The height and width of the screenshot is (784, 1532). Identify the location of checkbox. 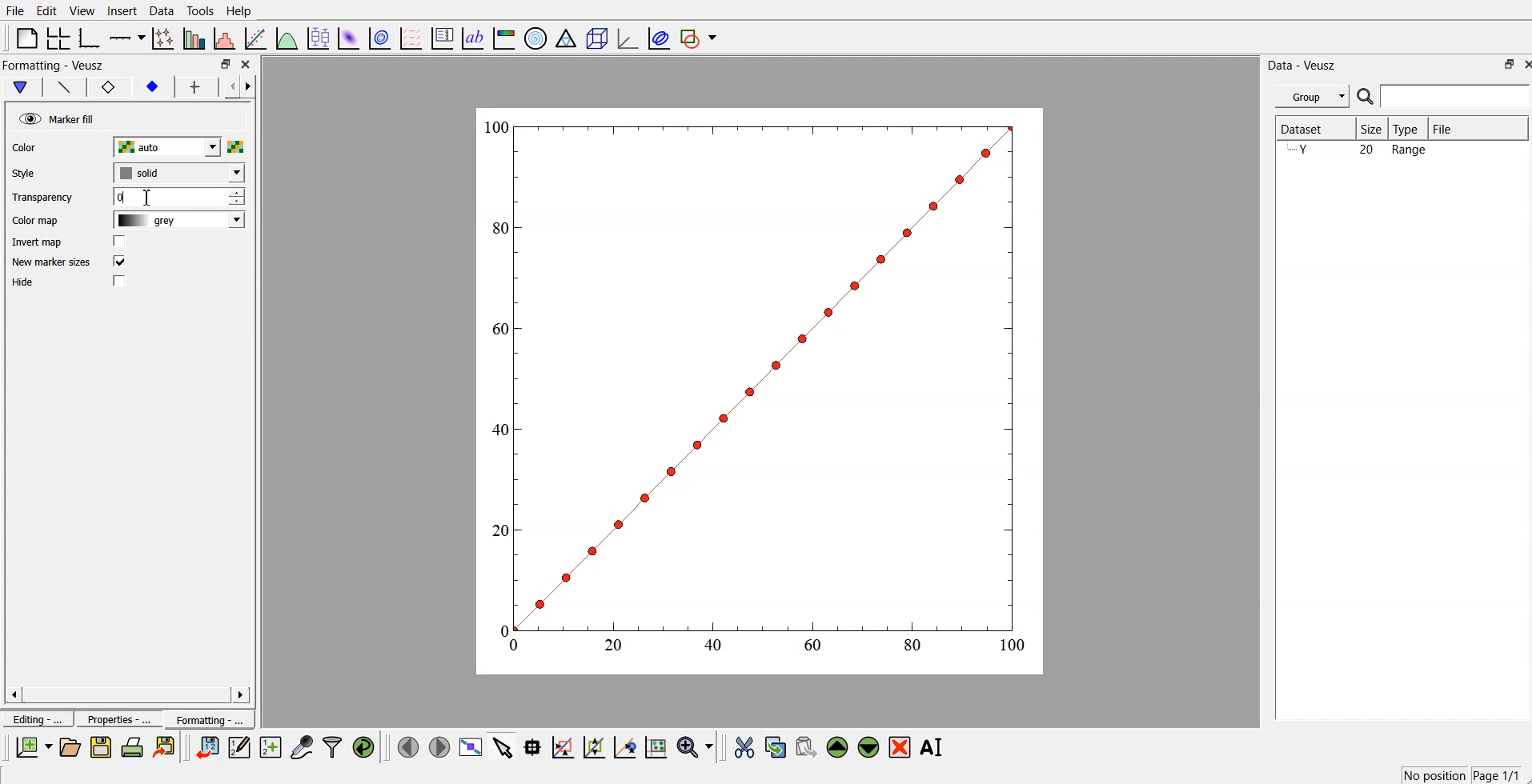
(118, 262).